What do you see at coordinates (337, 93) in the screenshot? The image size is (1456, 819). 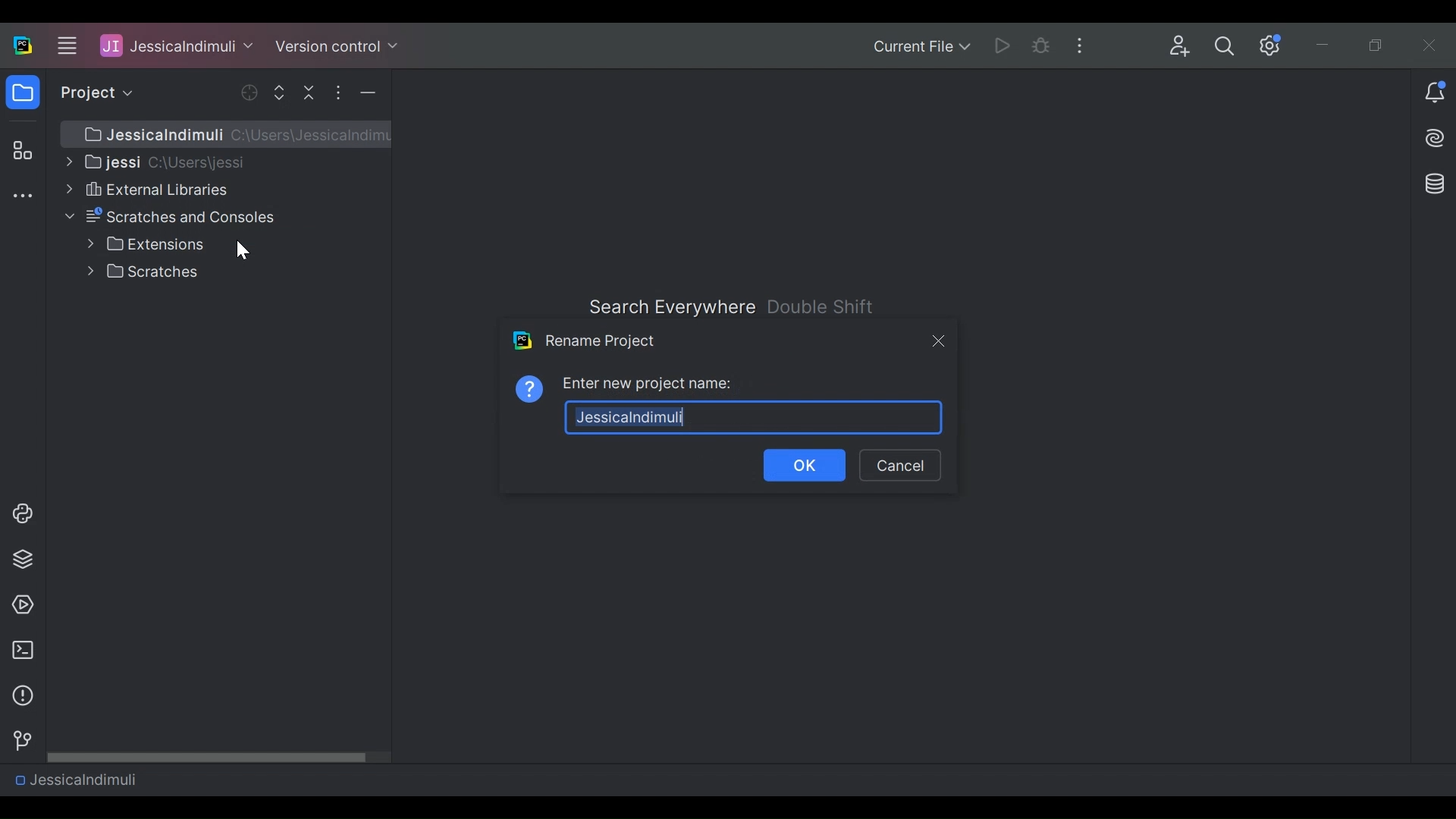 I see `Options` at bounding box center [337, 93].